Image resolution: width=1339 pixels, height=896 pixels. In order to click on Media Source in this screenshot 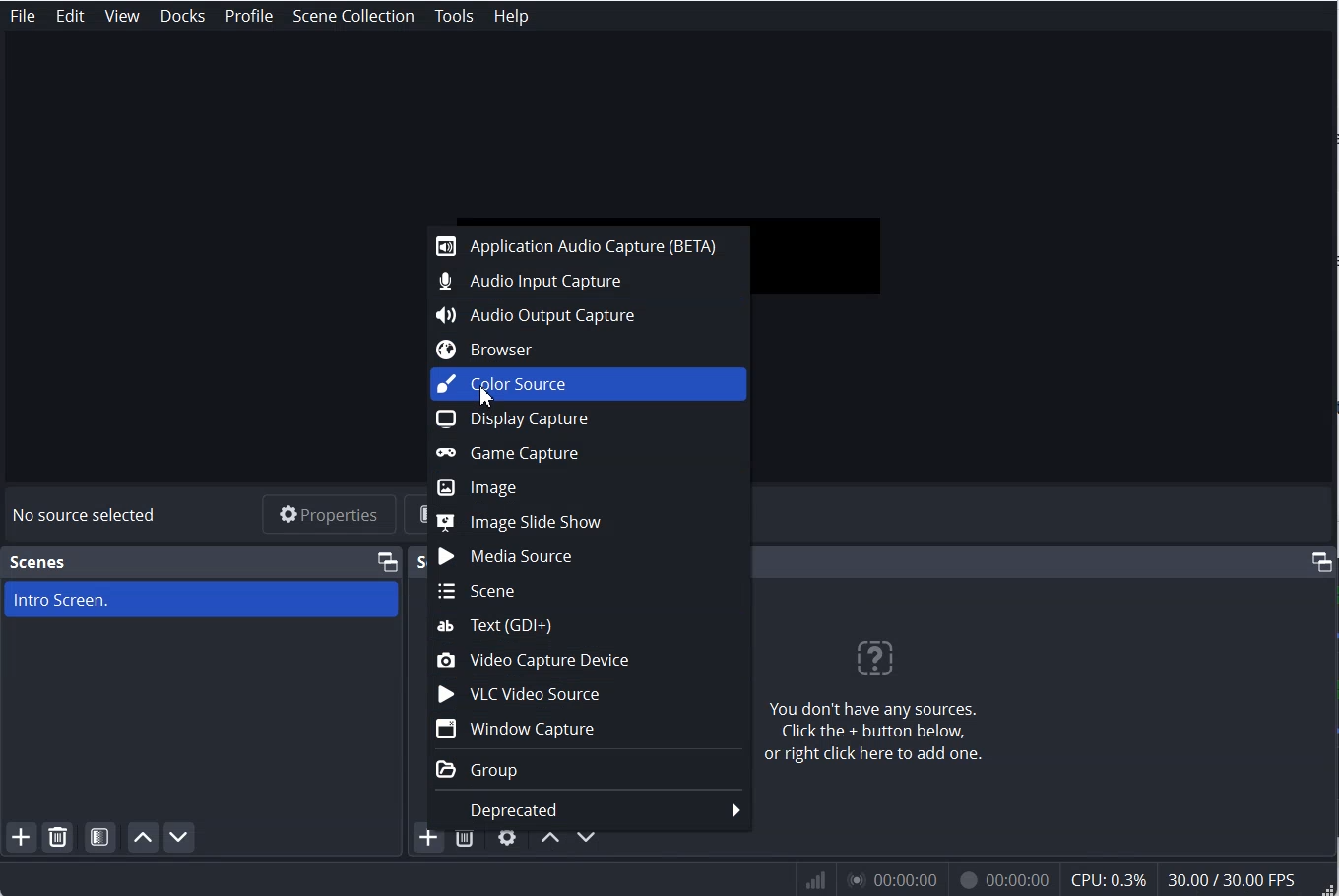, I will do `click(589, 554)`.